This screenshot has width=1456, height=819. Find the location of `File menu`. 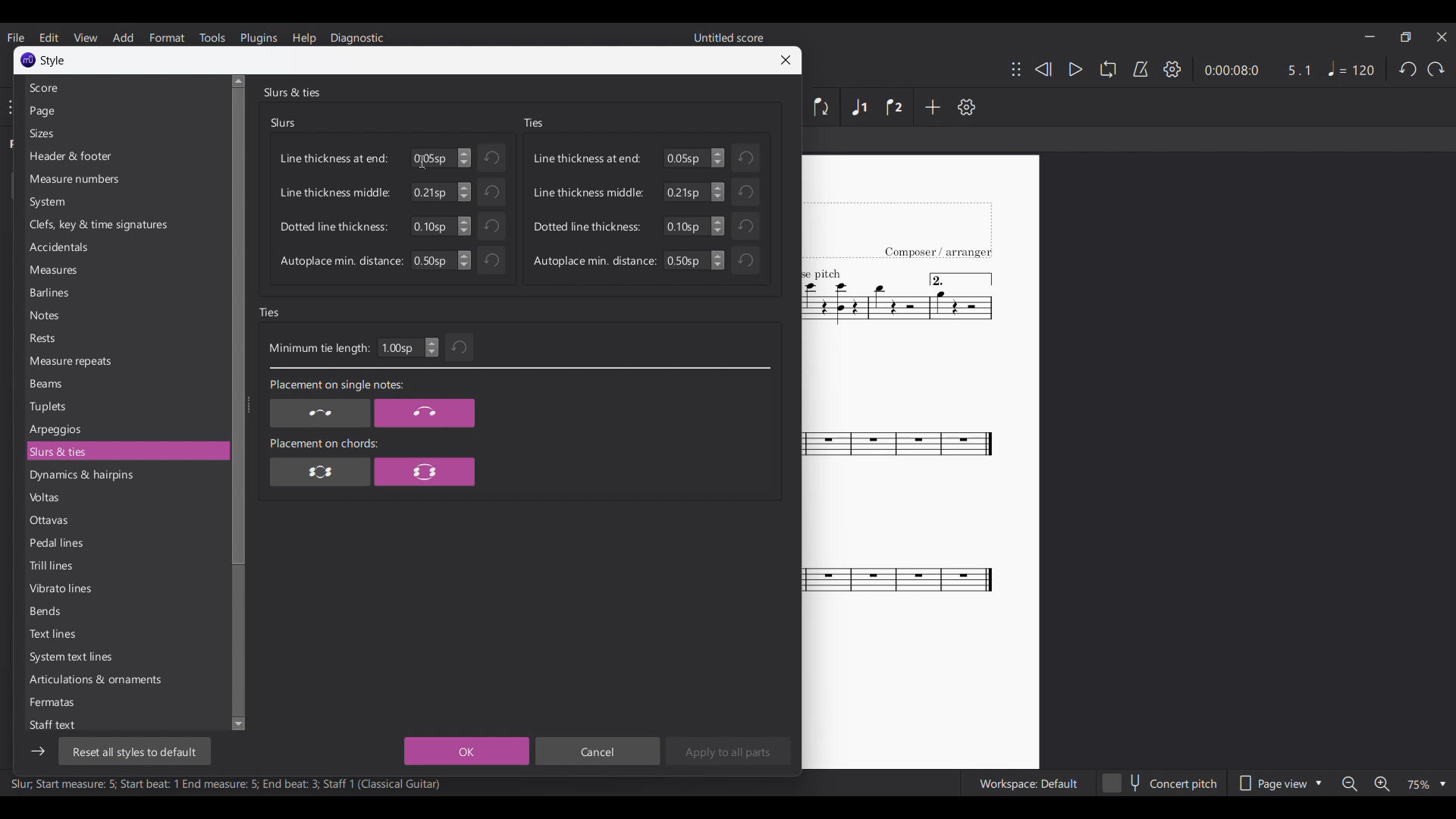

File menu is located at coordinates (17, 37).